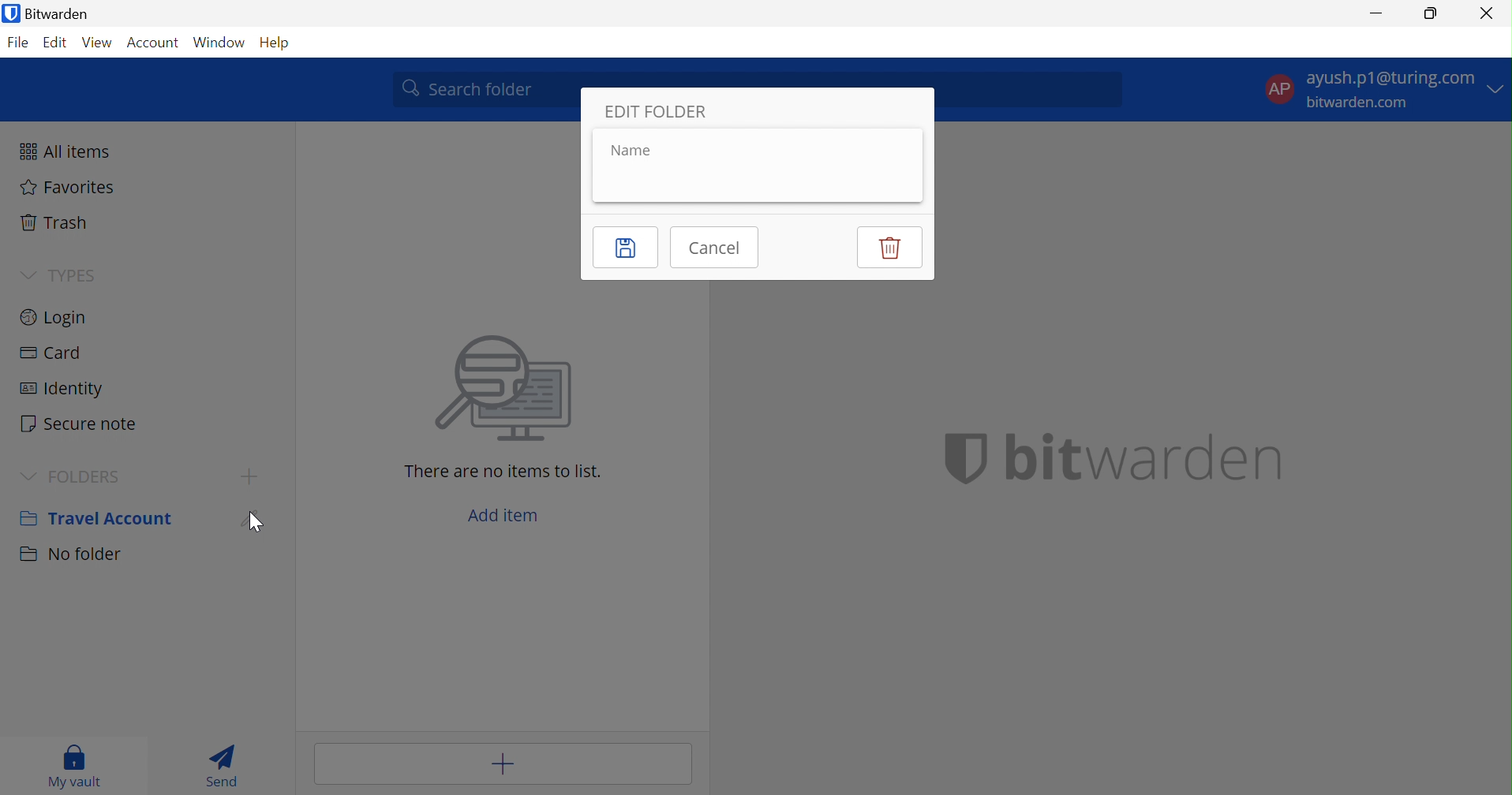 Image resolution: width=1512 pixels, height=795 pixels. What do you see at coordinates (249, 478) in the screenshot?
I see `Add Folder` at bounding box center [249, 478].